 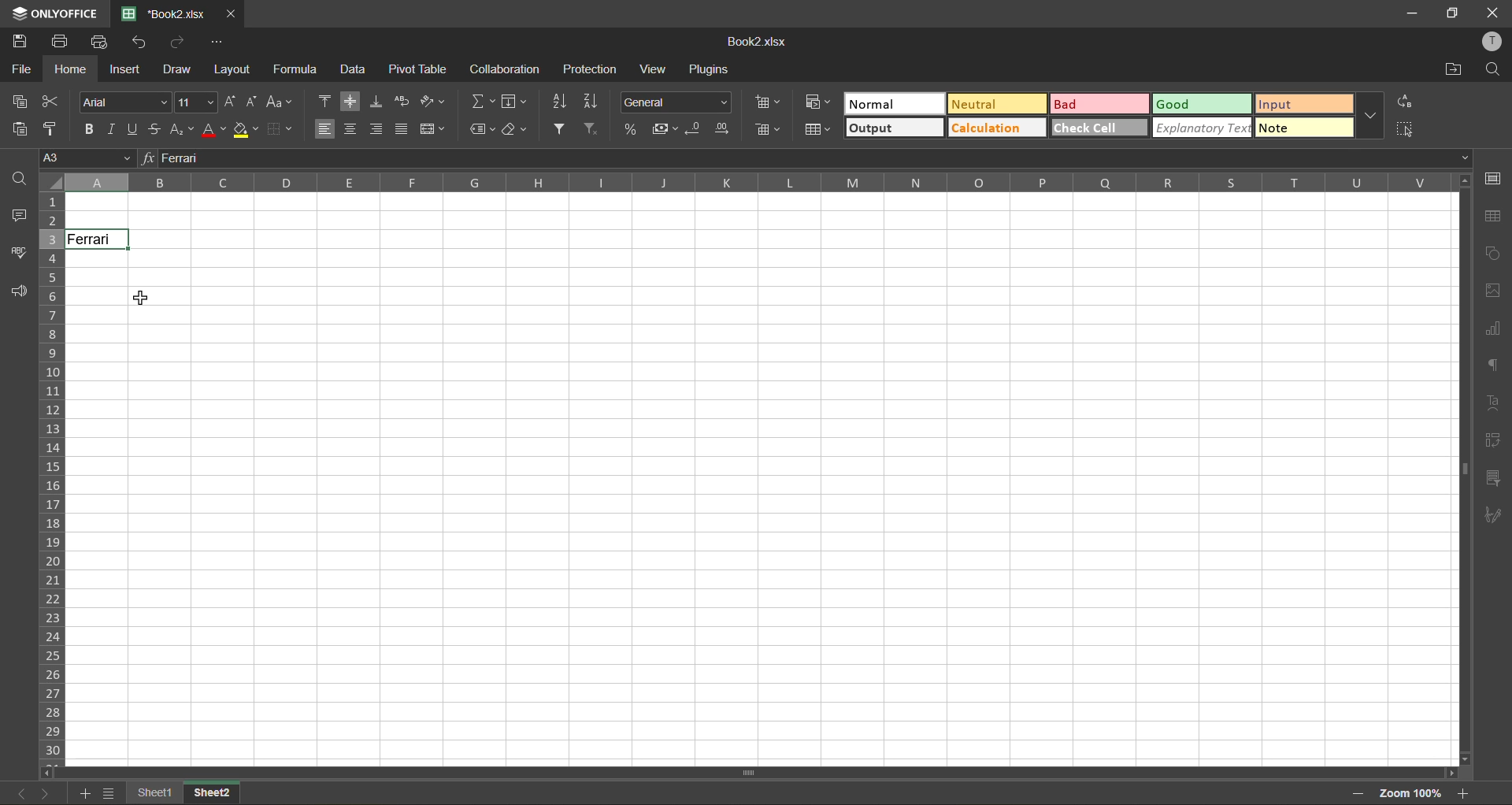 What do you see at coordinates (99, 43) in the screenshot?
I see `quick print` at bounding box center [99, 43].